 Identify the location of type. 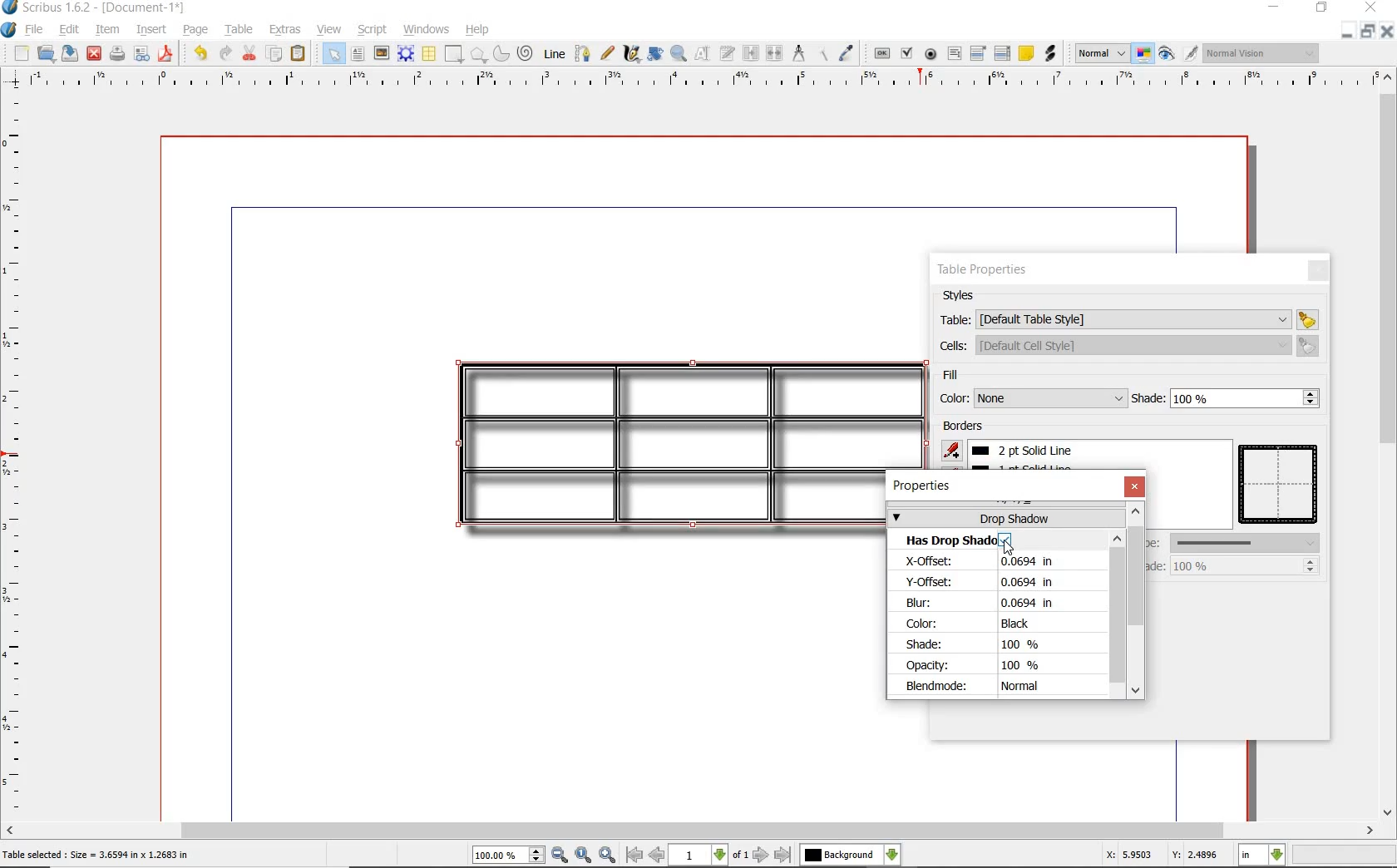
(1234, 542).